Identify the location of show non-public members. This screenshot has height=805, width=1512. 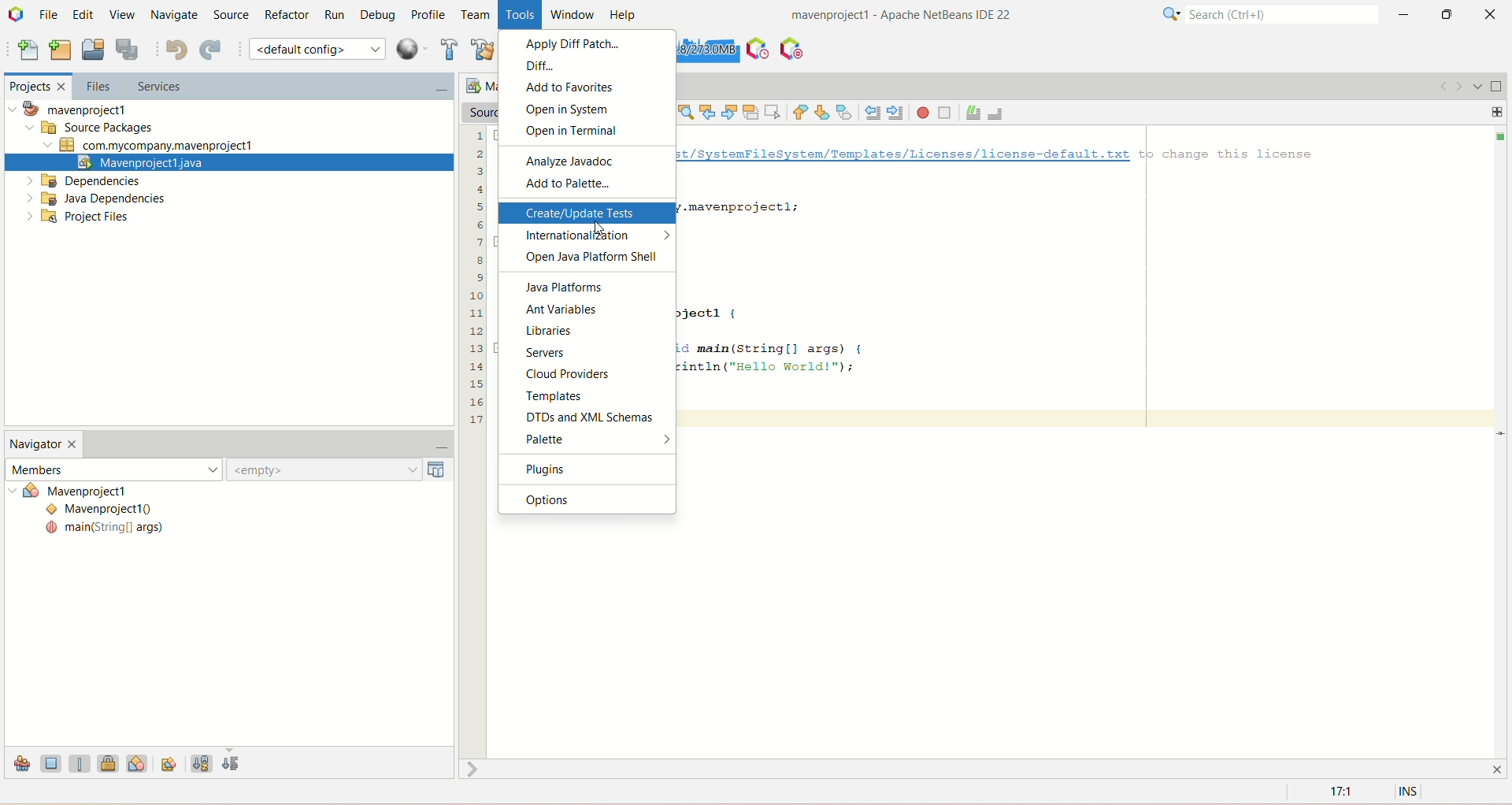
(111, 762).